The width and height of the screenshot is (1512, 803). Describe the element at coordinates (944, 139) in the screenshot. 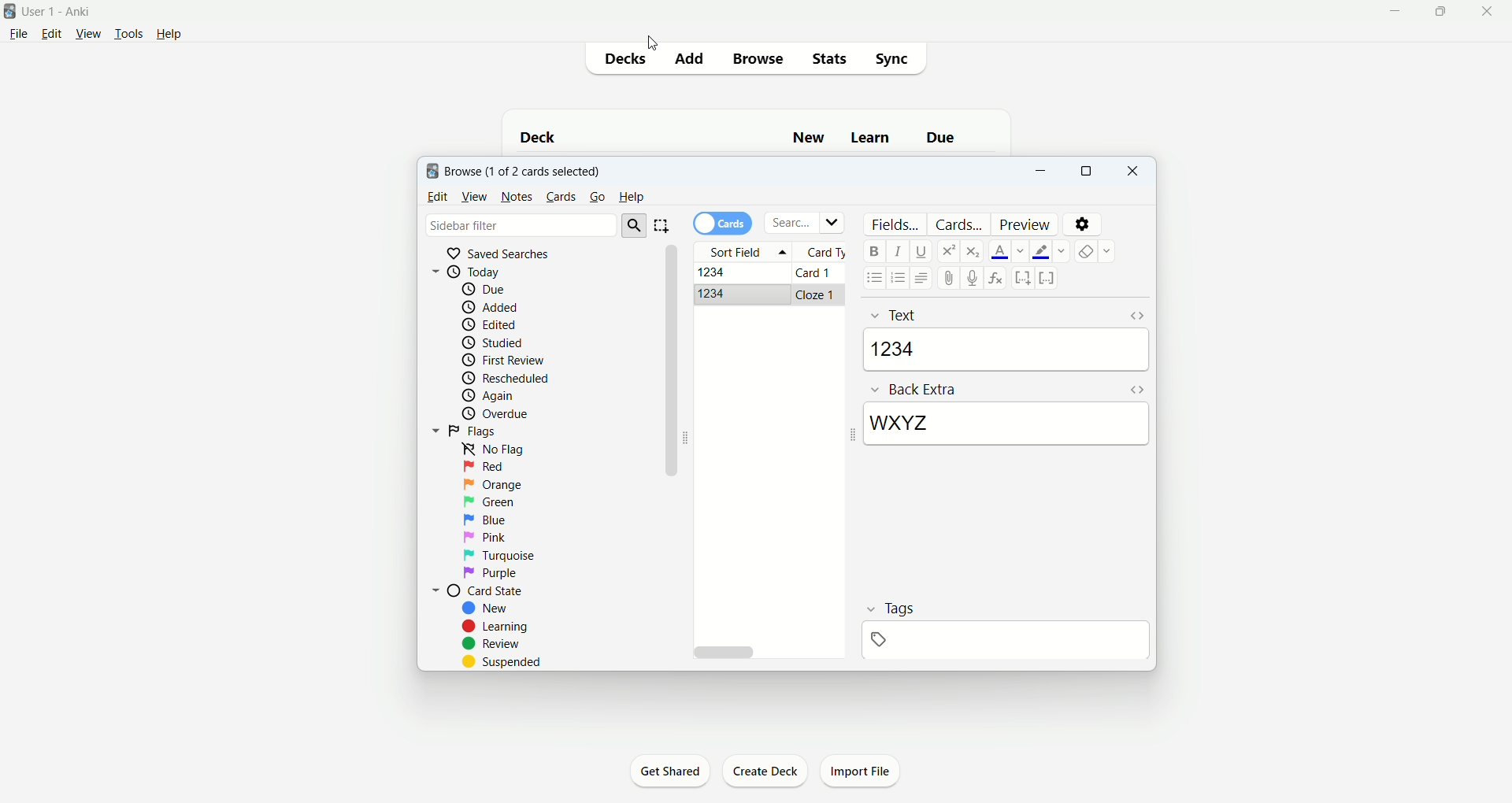

I see `due` at that location.